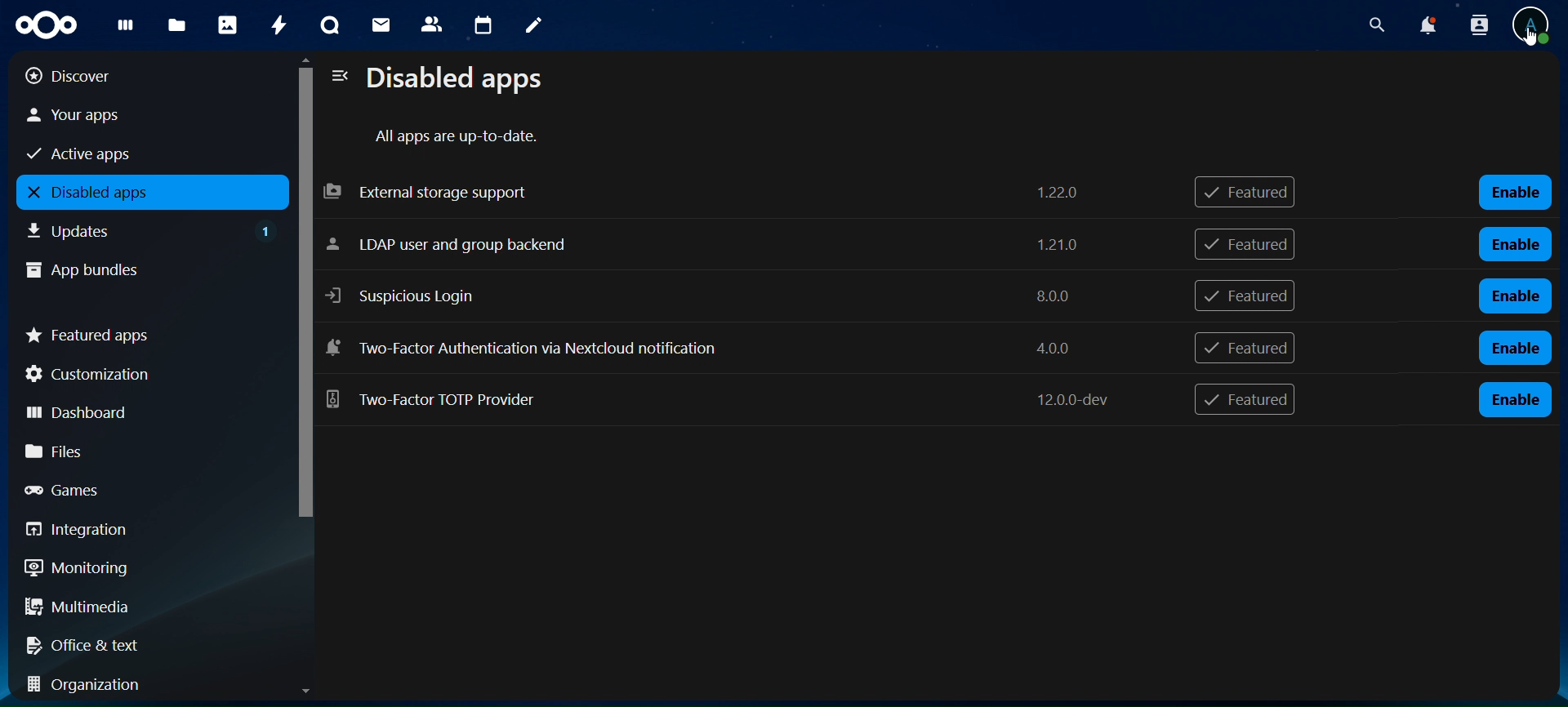 The image size is (1568, 707). Describe the element at coordinates (711, 246) in the screenshot. I see `LDAP user and group backend` at that location.